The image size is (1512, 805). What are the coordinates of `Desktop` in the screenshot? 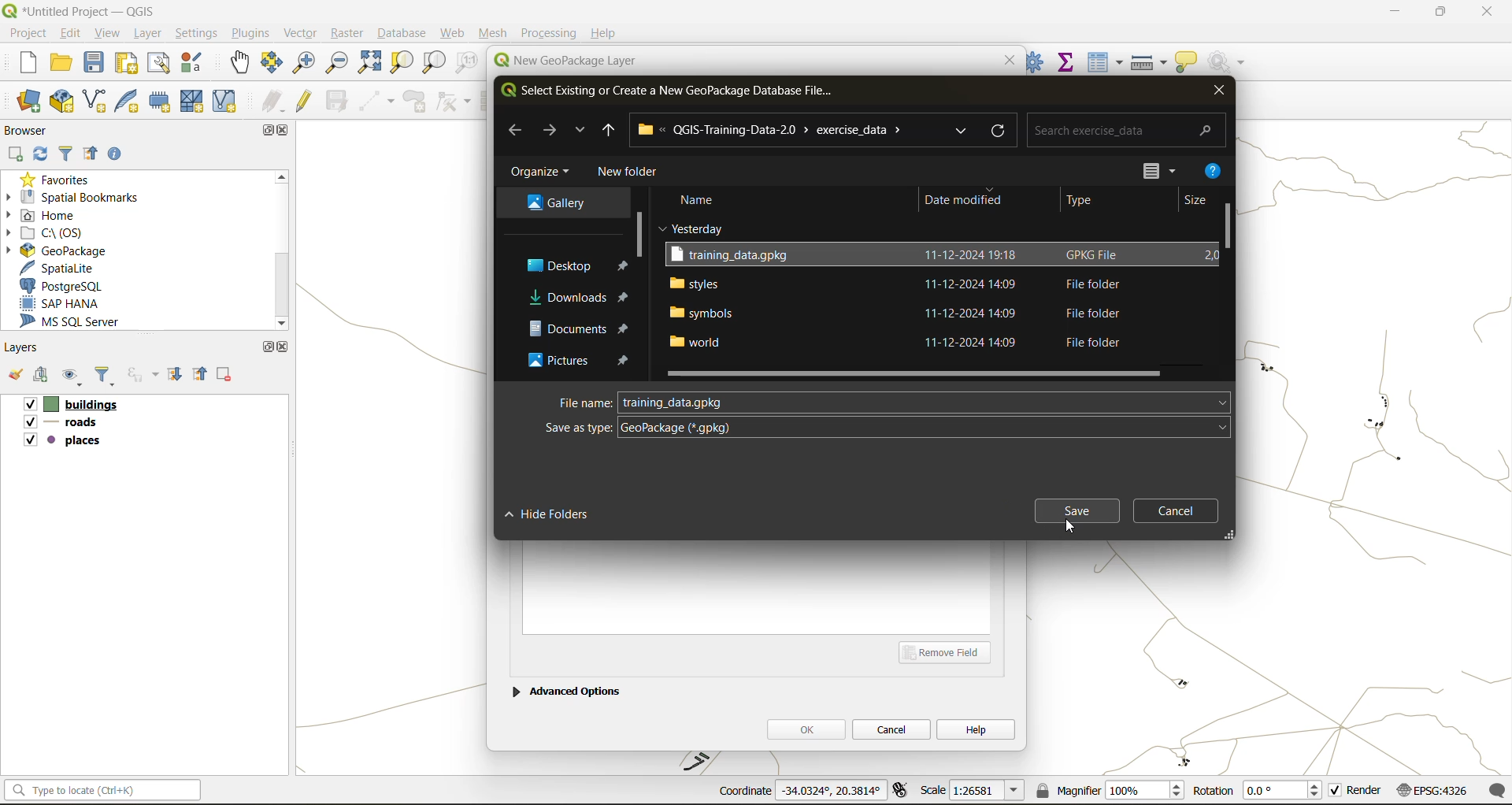 It's located at (554, 265).